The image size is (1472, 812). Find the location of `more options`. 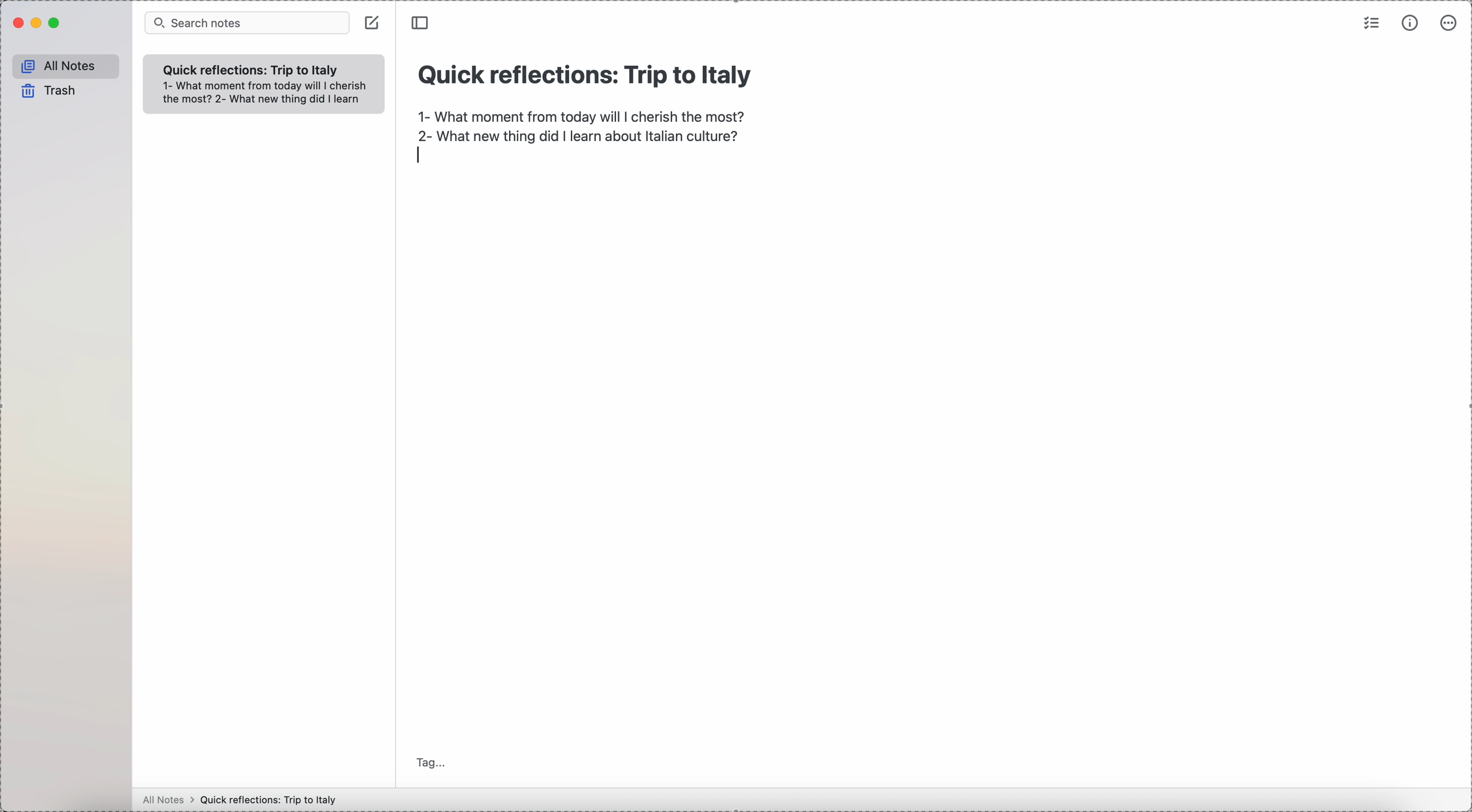

more options is located at coordinates (1449, 25).